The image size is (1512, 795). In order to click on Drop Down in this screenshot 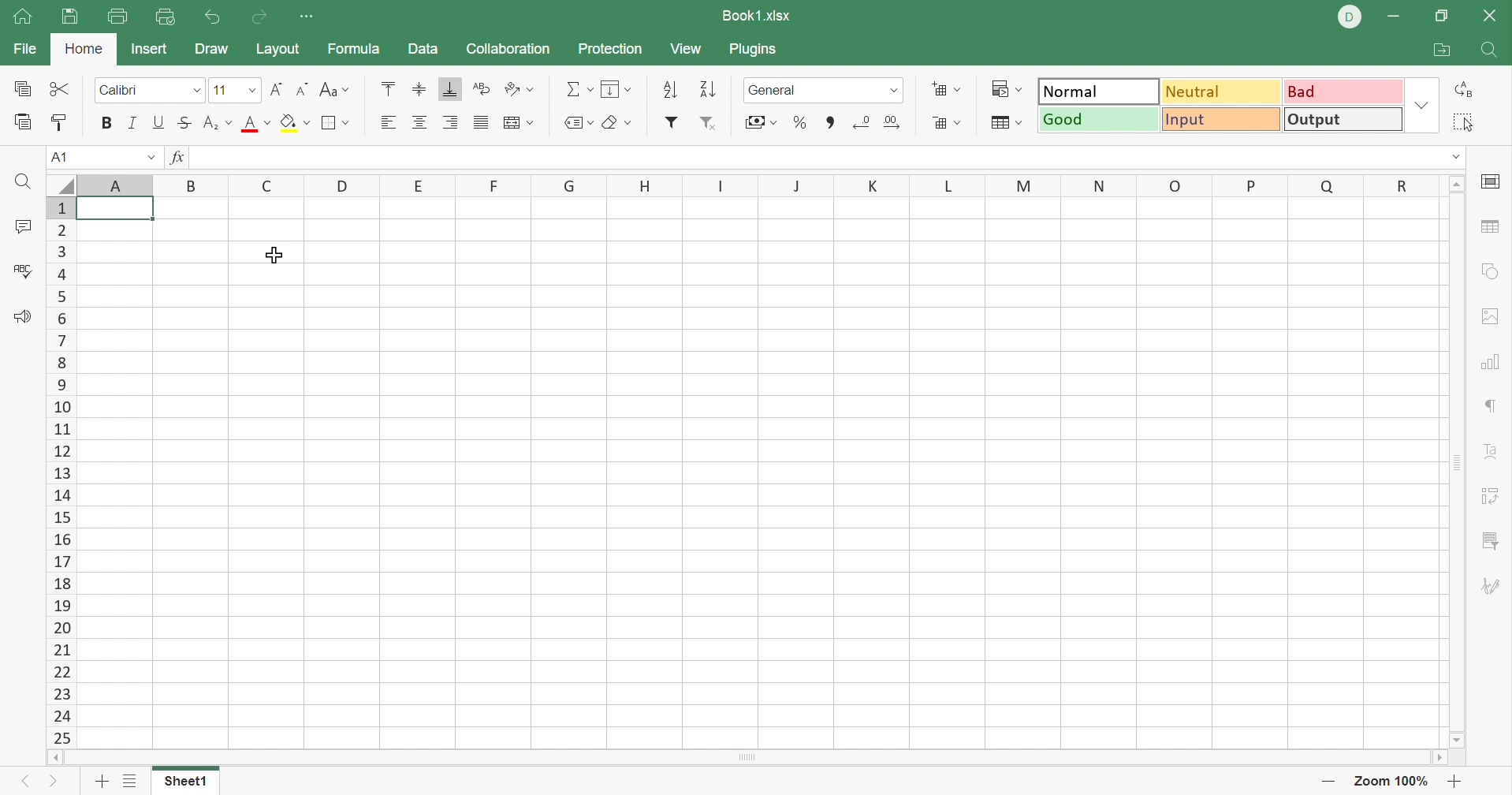, I will do `click(149, 155)`.